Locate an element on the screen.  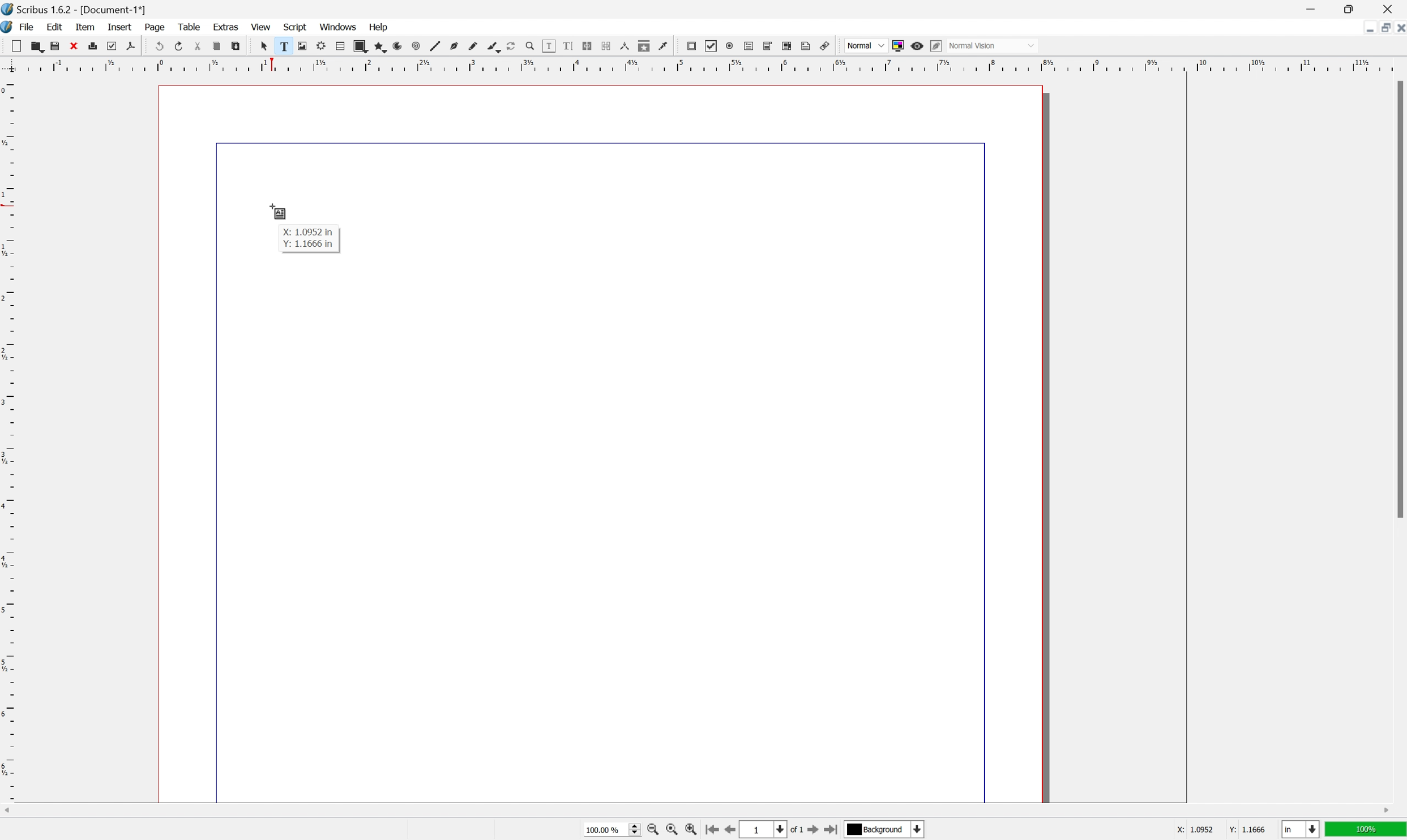
edit is located at coordinates (54, 27).